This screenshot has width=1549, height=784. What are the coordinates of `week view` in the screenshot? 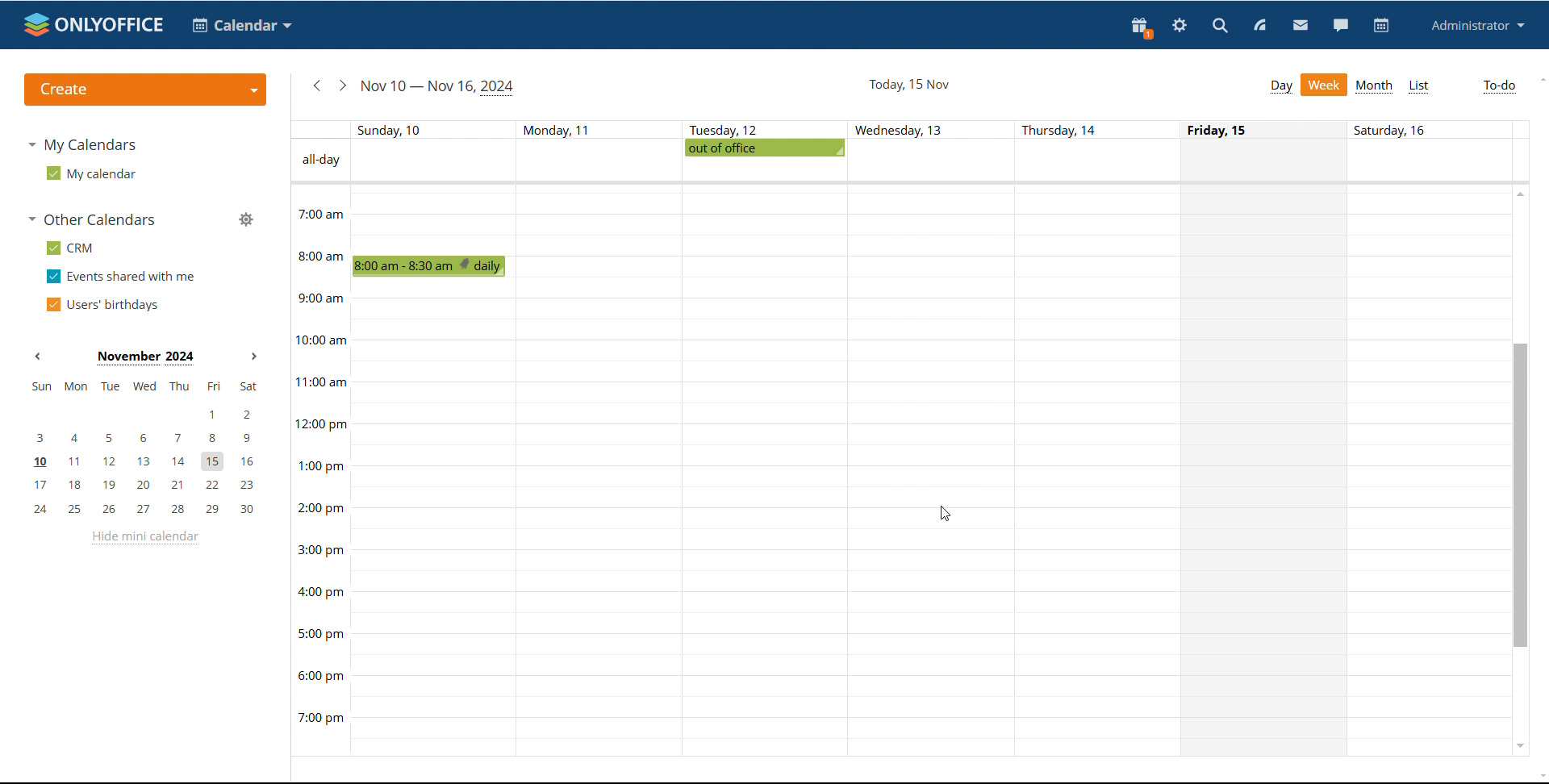 It's located at (1323, 85).